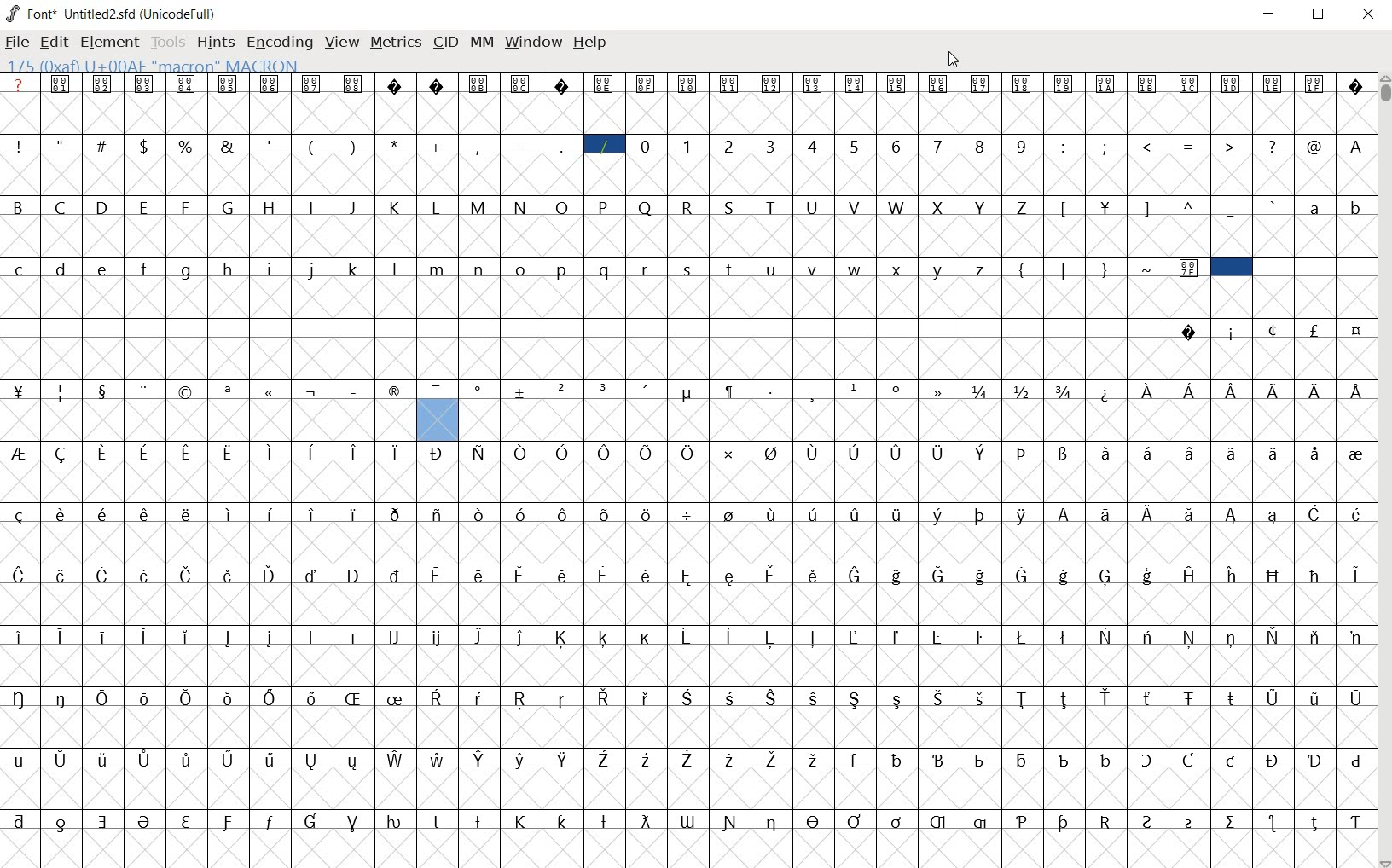 This screenshot has height=868, width=1392. Describe the element at coordinates (1271, 697) in the screenshot. I see `` at that location.